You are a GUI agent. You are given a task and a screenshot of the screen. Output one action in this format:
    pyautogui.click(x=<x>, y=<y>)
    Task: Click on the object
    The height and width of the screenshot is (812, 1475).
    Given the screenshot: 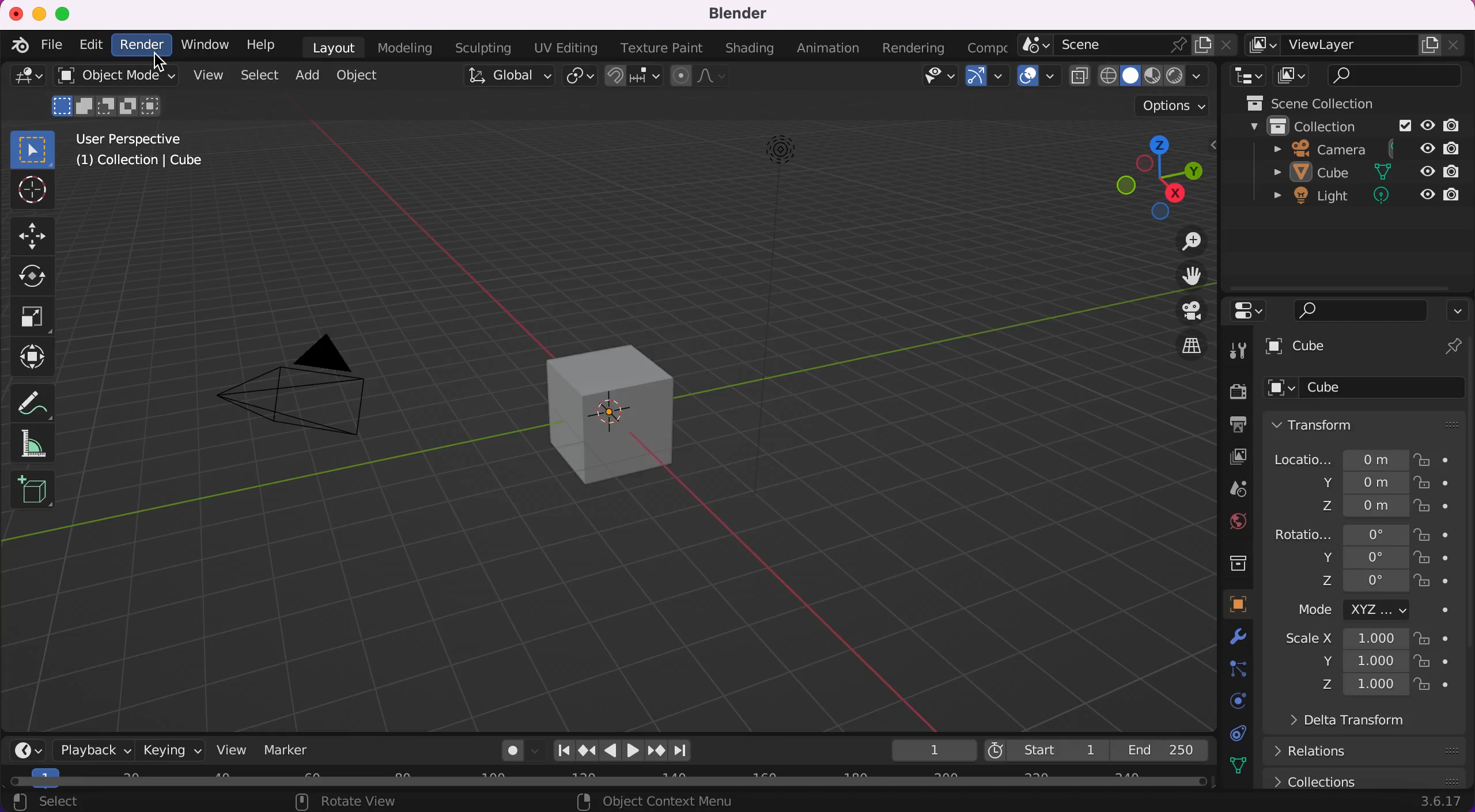 What is the action you would take?
    pyautogui.click(x=357, y=75)
    